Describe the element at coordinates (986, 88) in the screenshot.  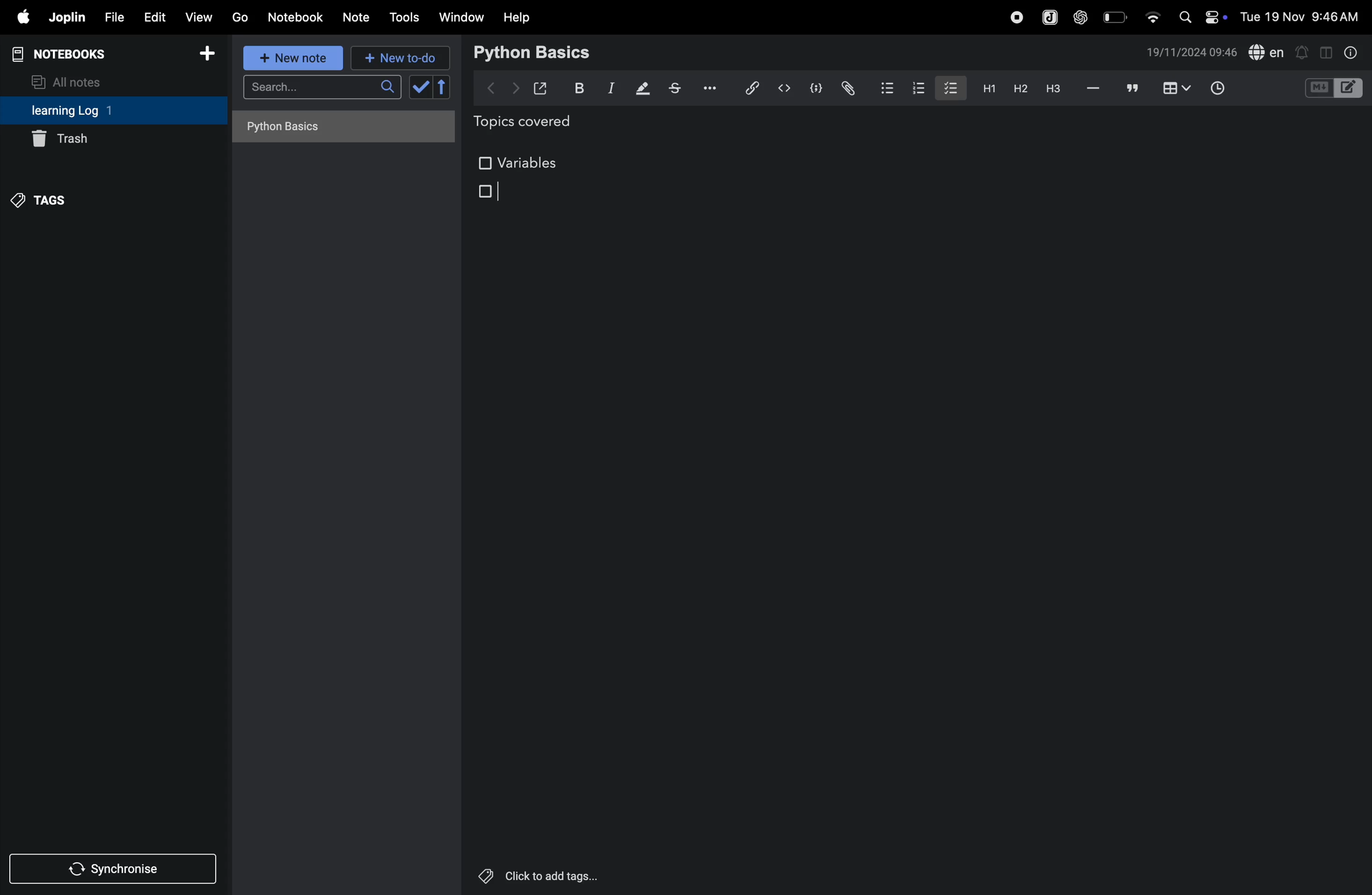
I see `h1` at that location.